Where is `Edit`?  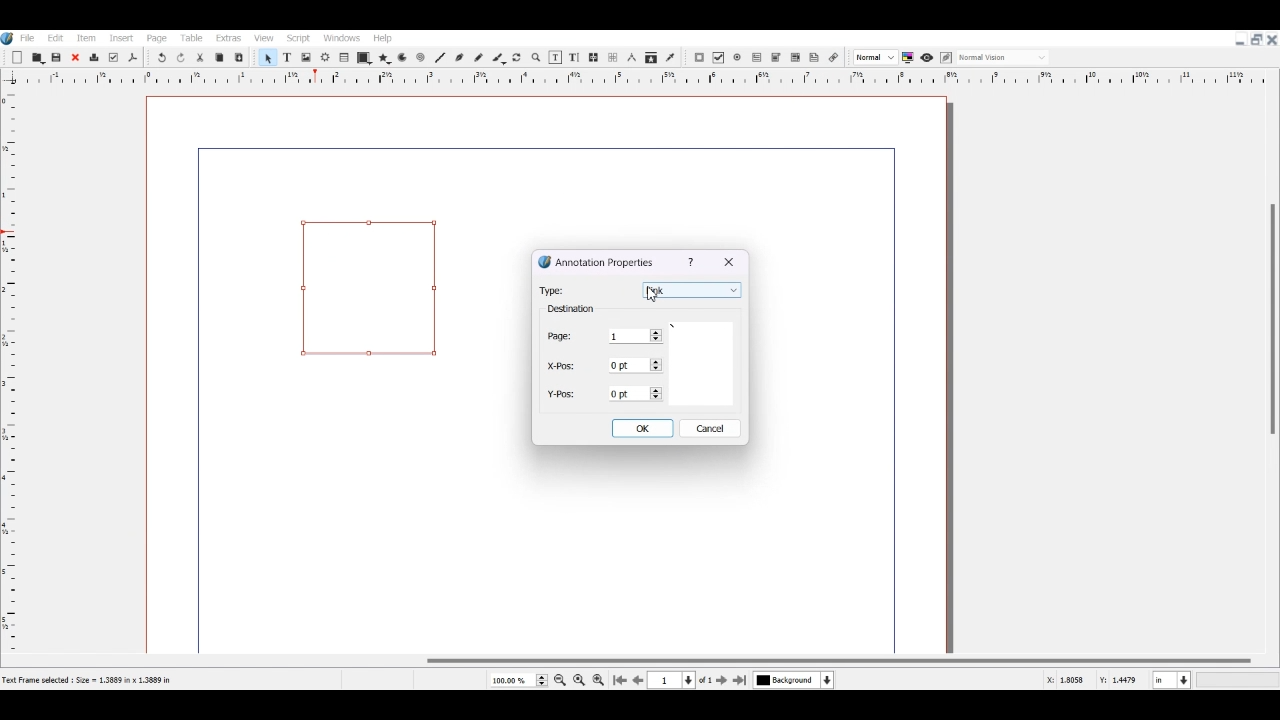 Edit is located at coordinates (54, 37).